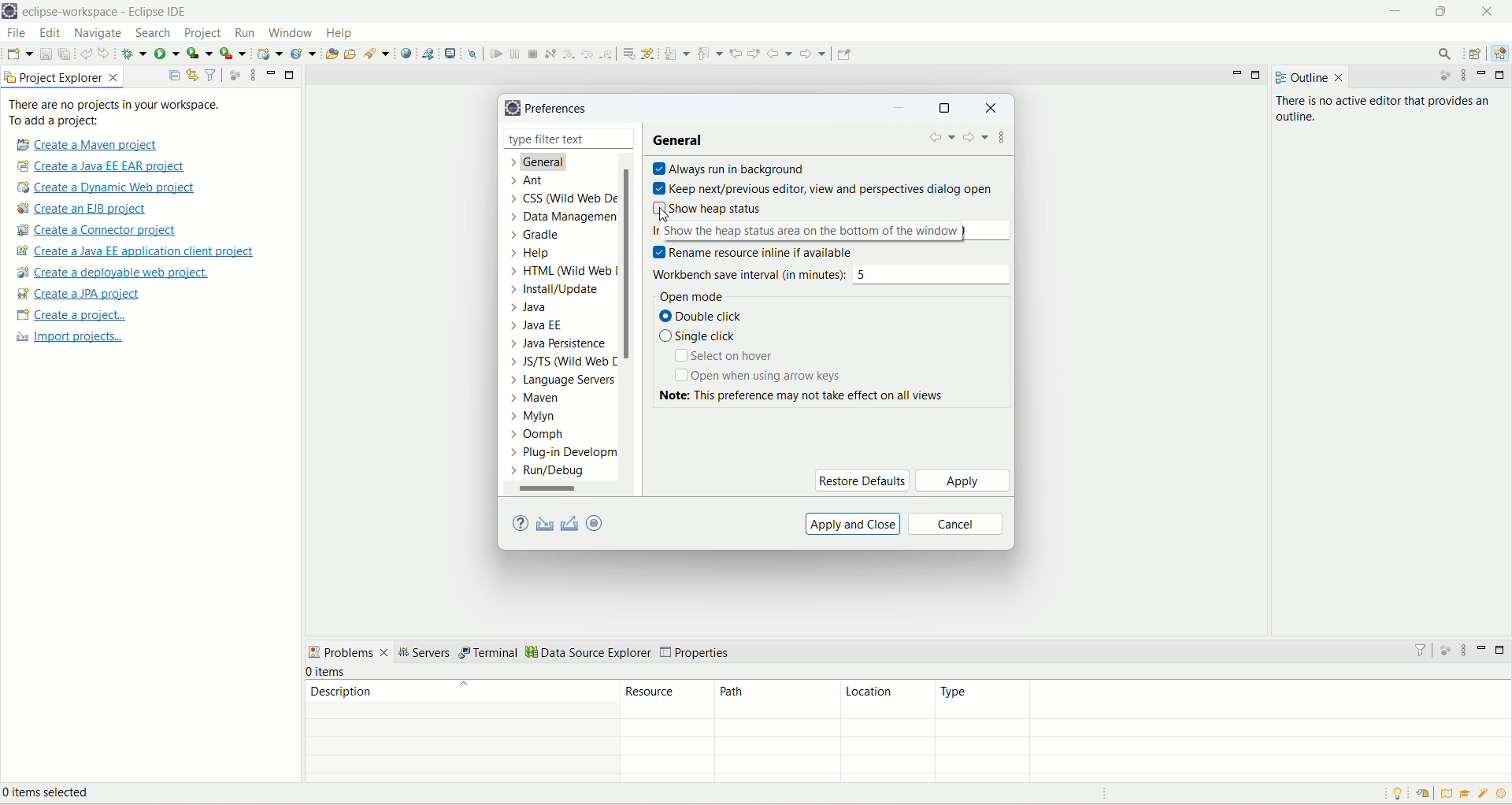  What do you see at coordinates (513, 52) in the screenshot?
I see `suspend` at bounding box center [513, 52].